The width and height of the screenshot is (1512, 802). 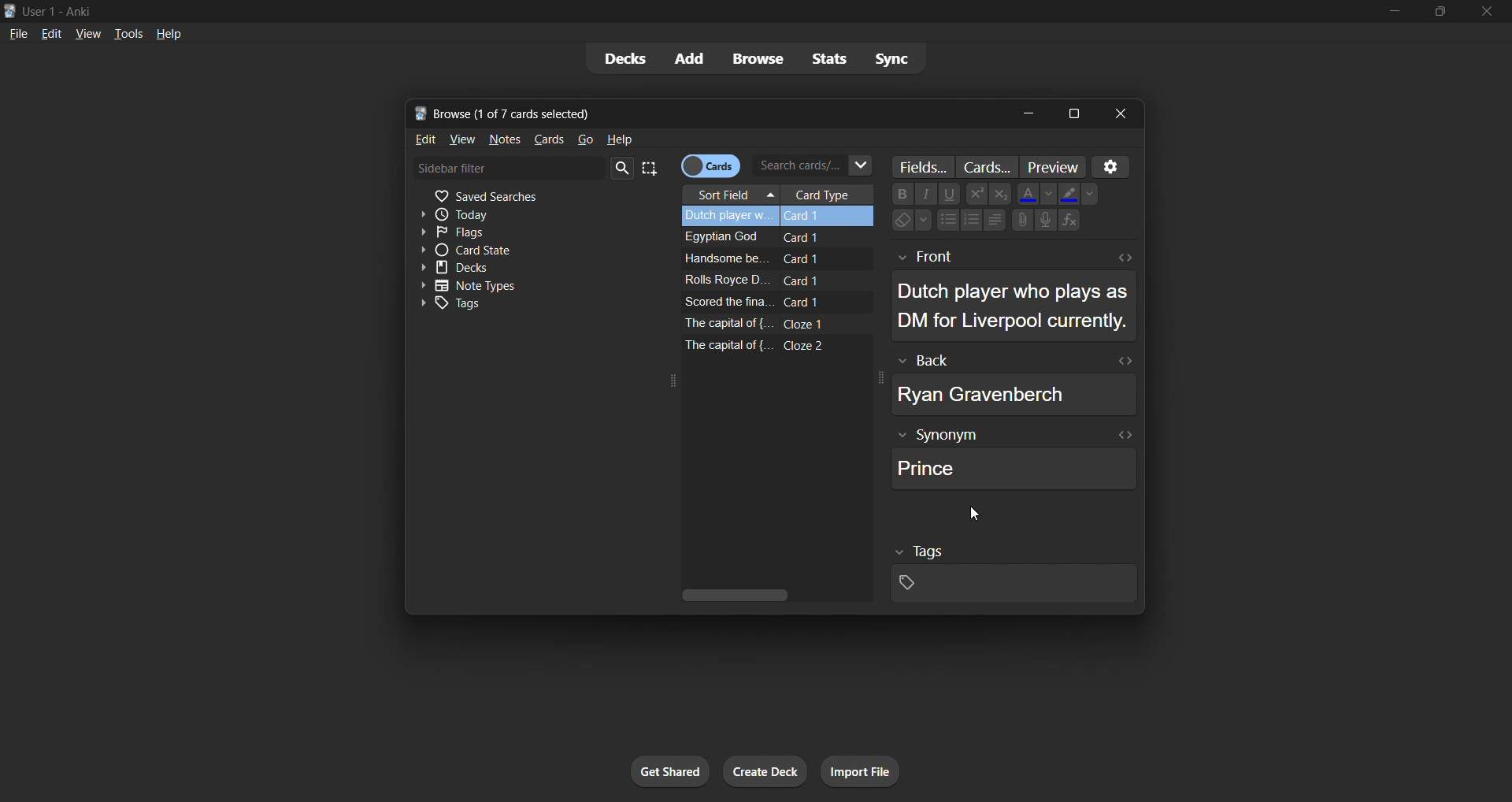 What do you see at coordinates (1046, 194) in the screenshot?
I see `Down -arrow` at bounding box center [1046, 194].